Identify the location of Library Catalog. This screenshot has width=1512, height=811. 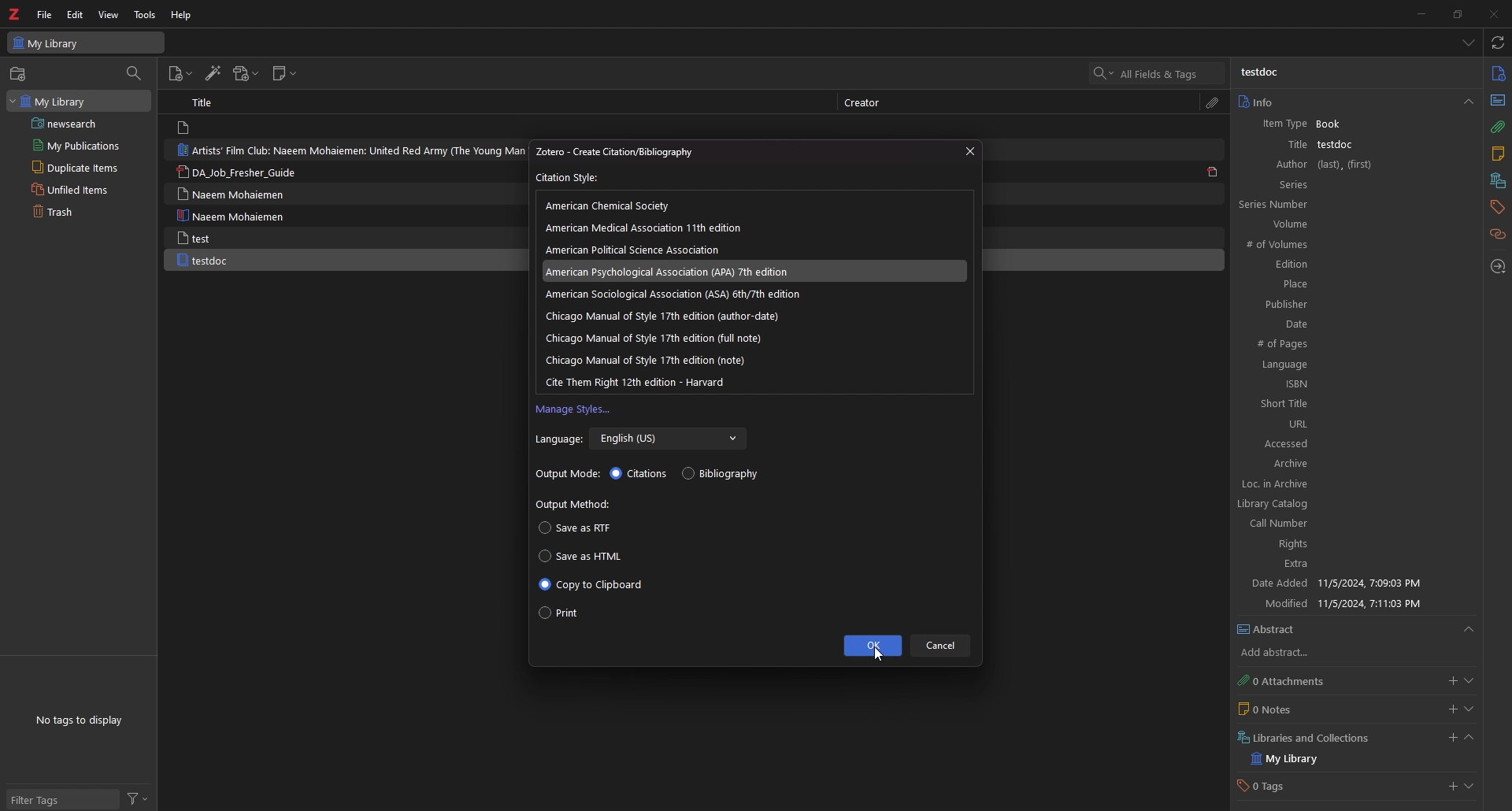
(1342, 502).